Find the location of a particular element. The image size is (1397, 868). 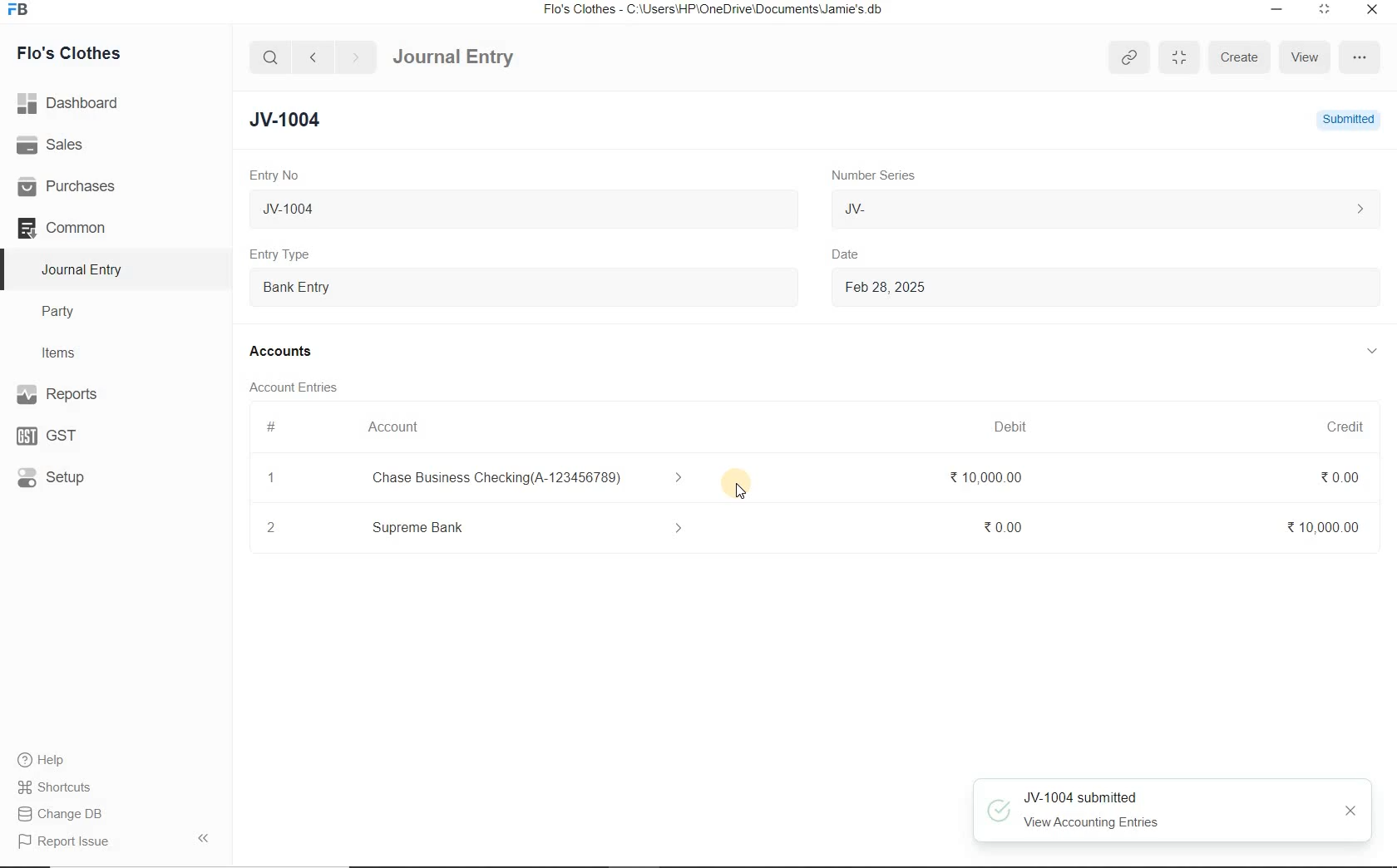

₹ 10,000.00 is located at coordinates (980, 481).